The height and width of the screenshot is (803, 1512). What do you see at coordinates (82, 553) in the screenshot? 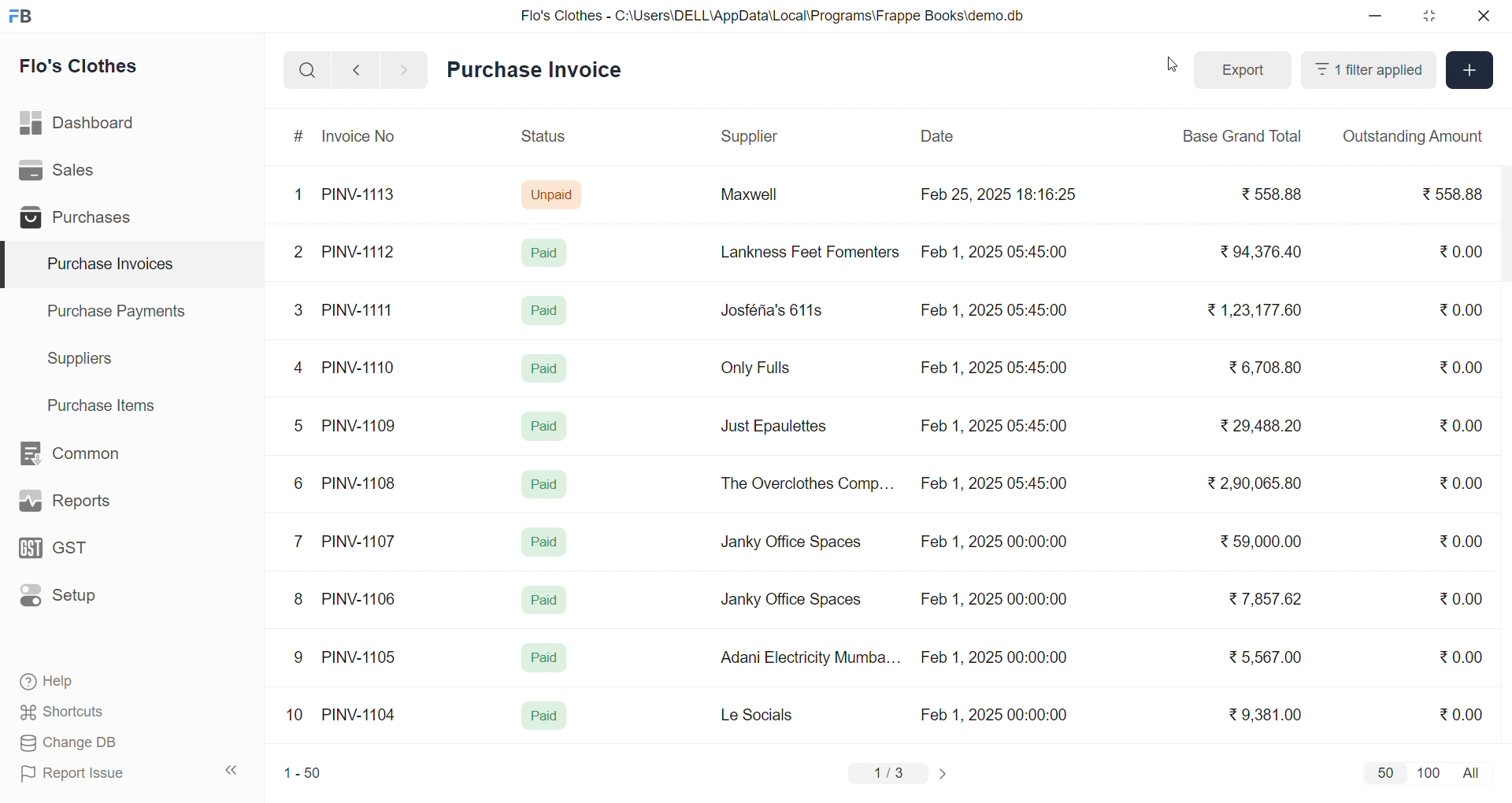
I see `GST` at bounding box center [82, 553].